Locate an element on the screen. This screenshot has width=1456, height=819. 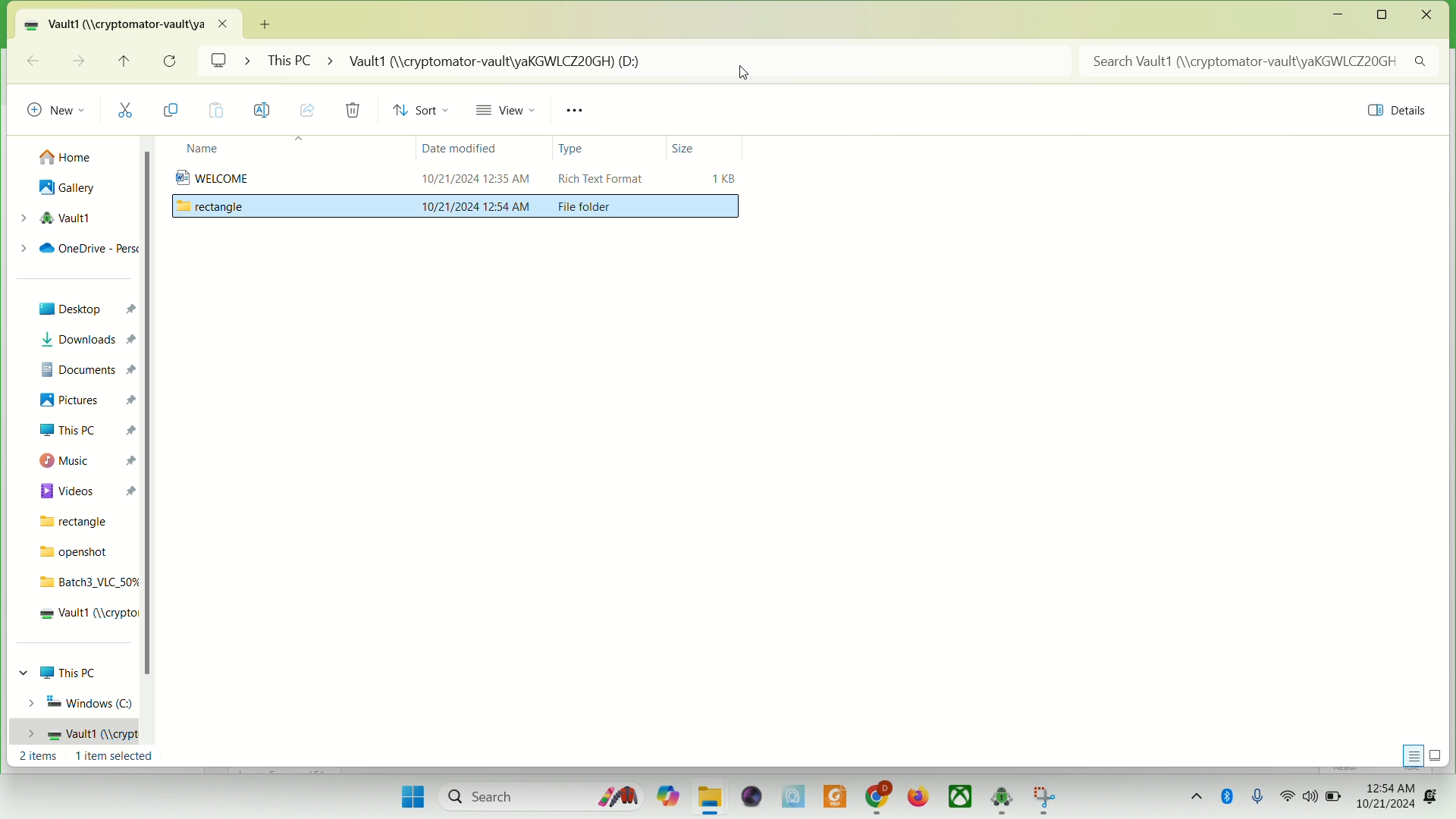
up to is located at coordinates (128, 64).